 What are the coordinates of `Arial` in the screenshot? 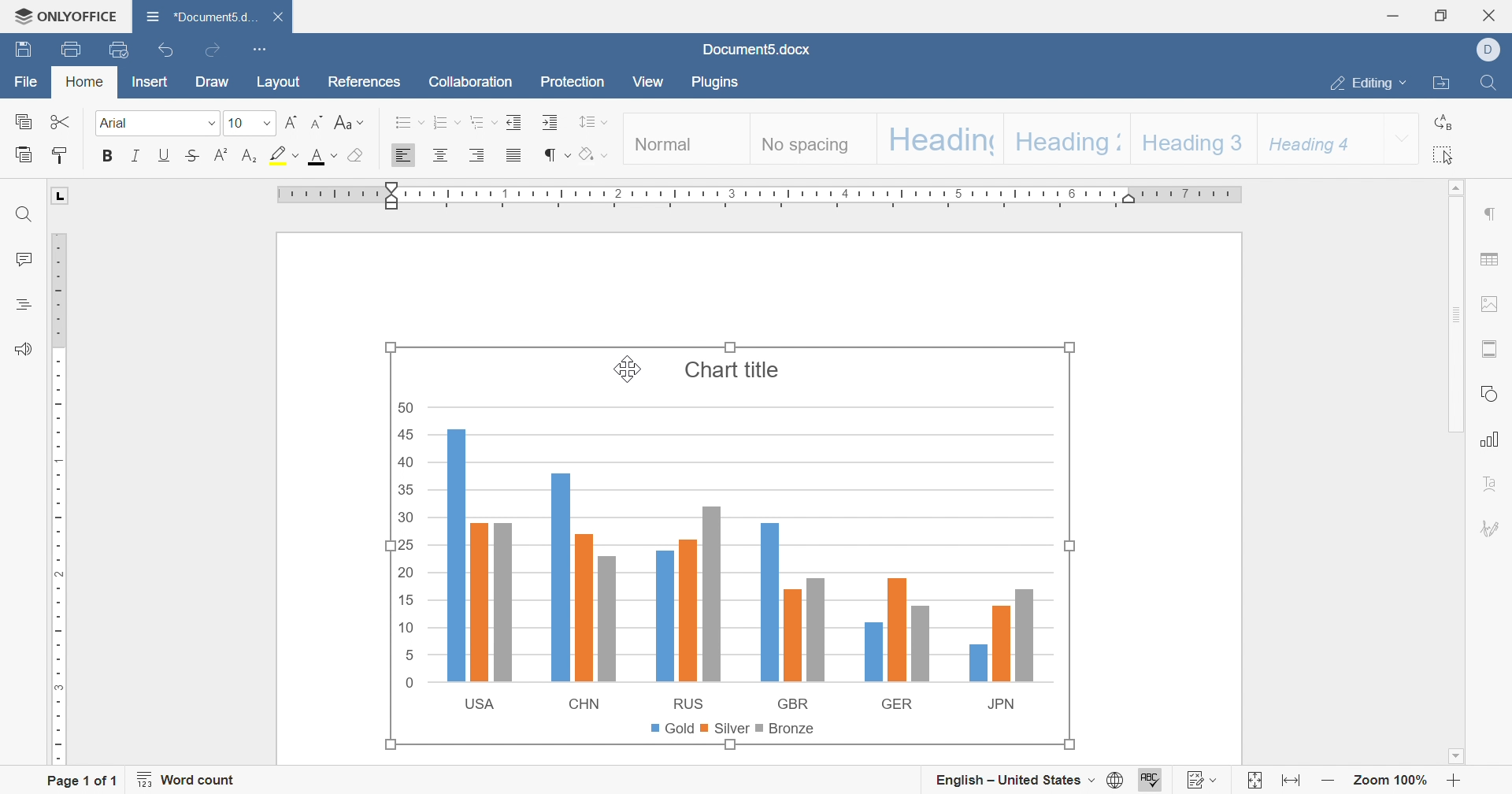 It's located at (118, 124).